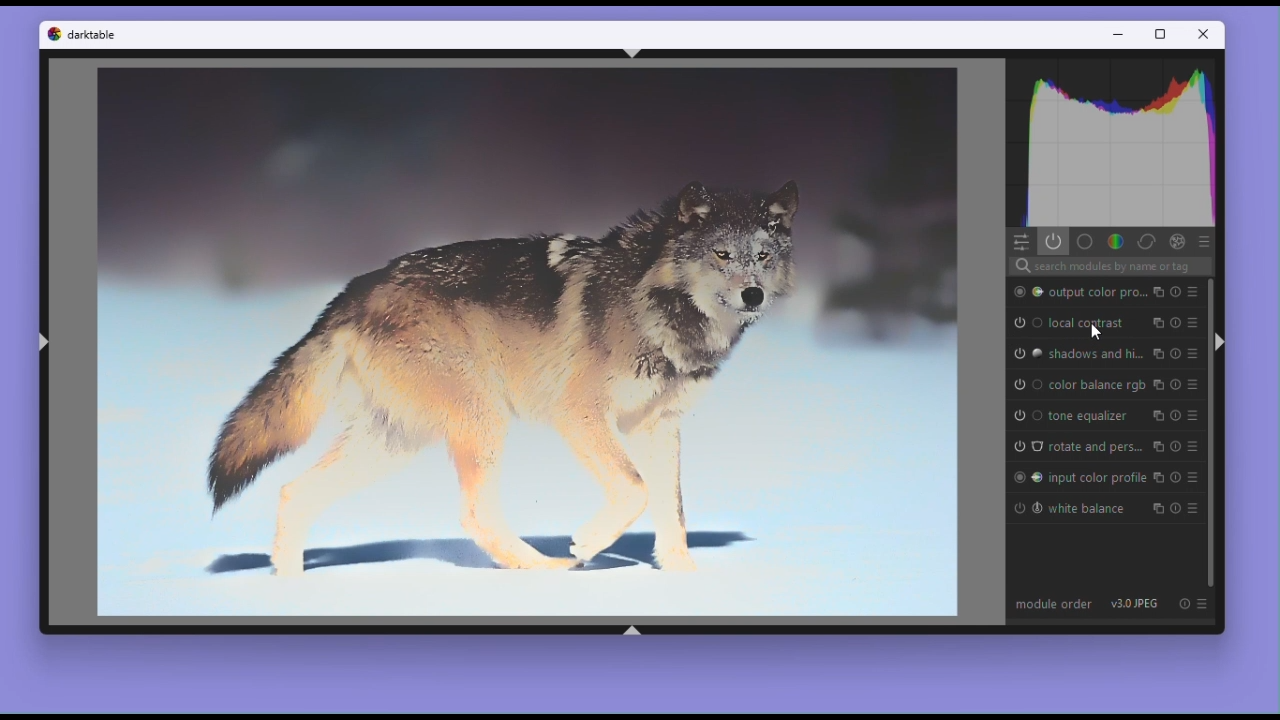  Describe the element at coordinates (1096, 386) in the screenshot. I see `color balance rgb` at that location.